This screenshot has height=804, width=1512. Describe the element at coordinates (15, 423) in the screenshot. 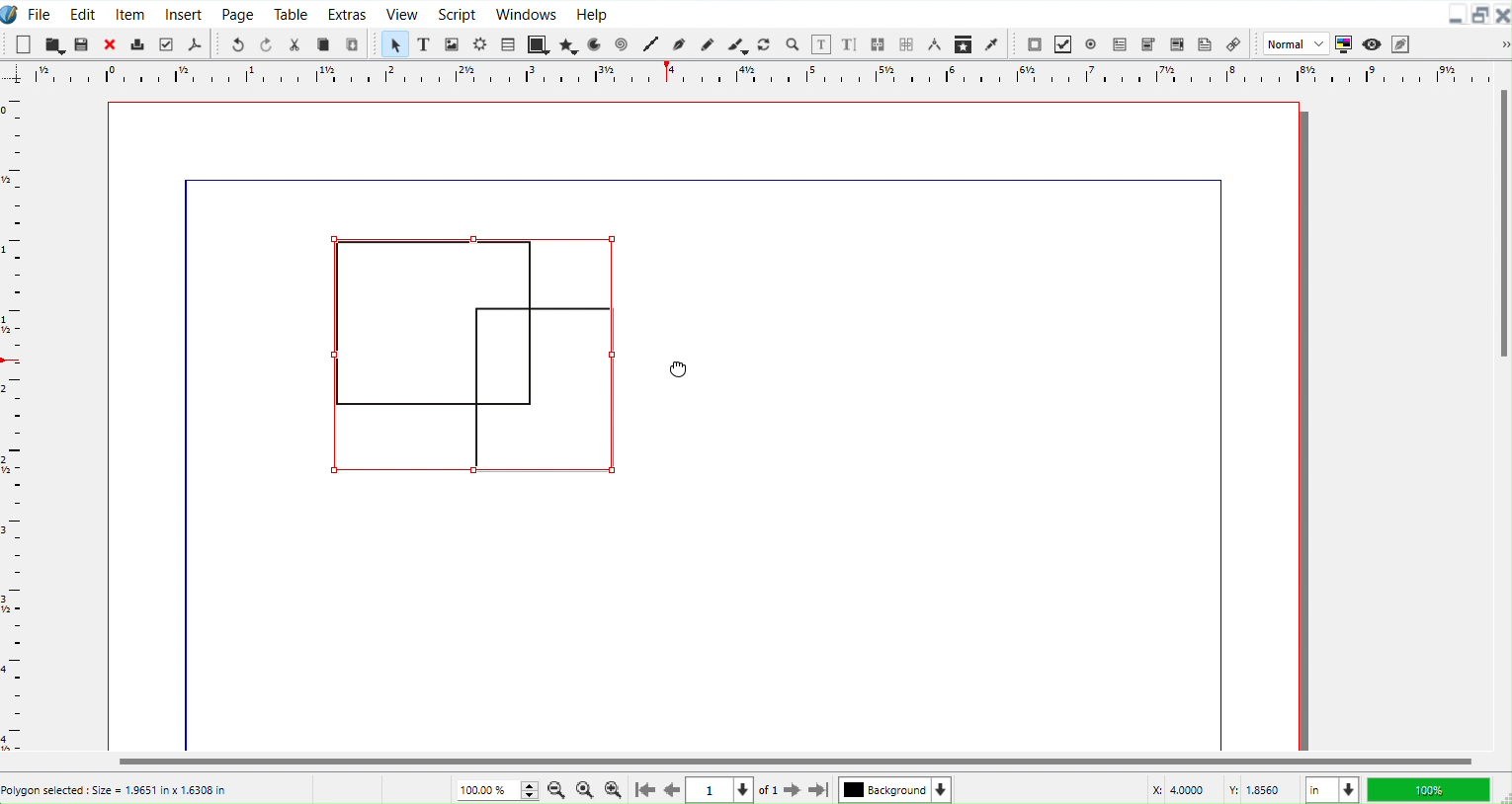

I see `Horizontal Scale bar` at that location.